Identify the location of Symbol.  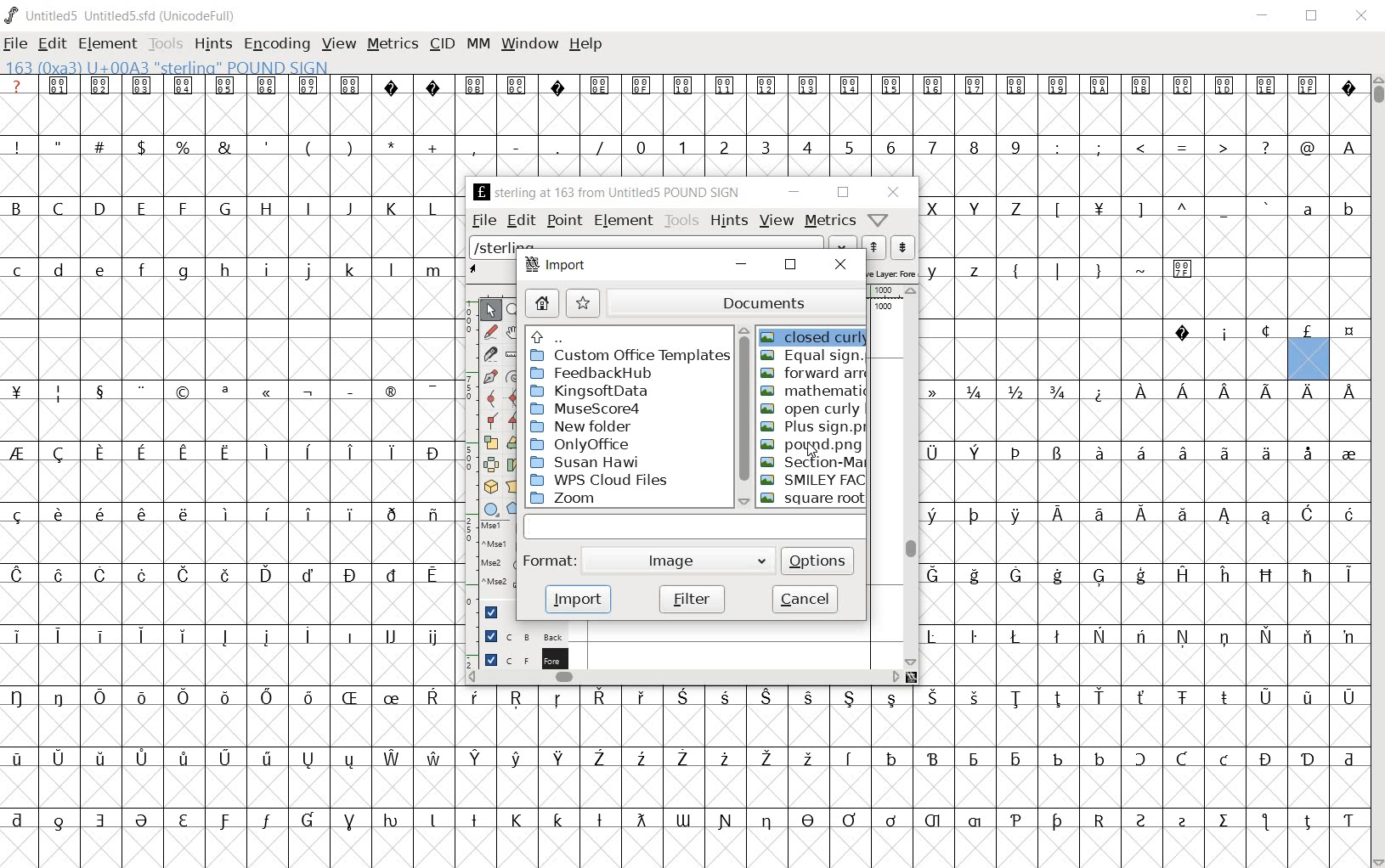
(1142, 820).